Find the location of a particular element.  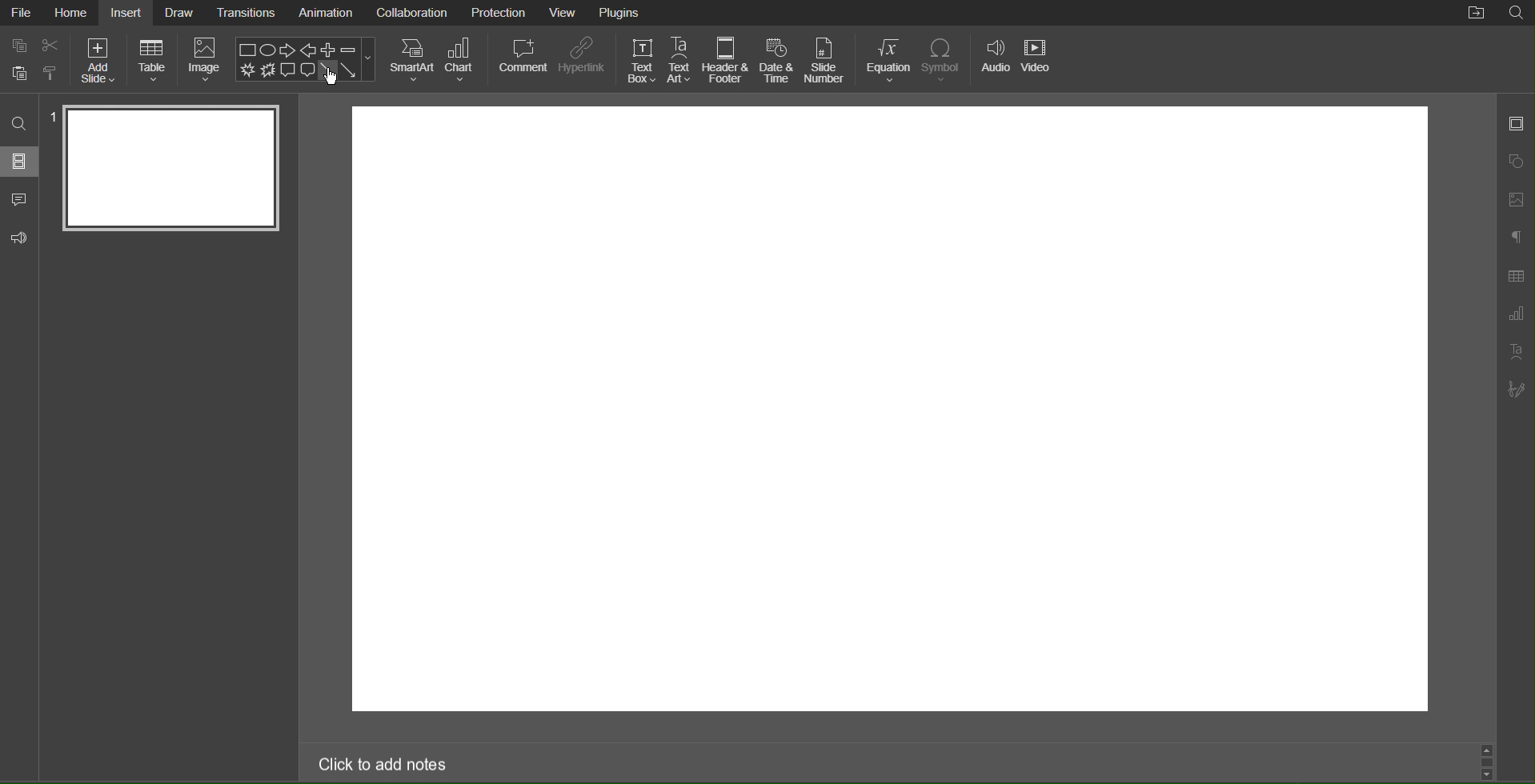

Graph Settings is located at coordinates (1515, 314).